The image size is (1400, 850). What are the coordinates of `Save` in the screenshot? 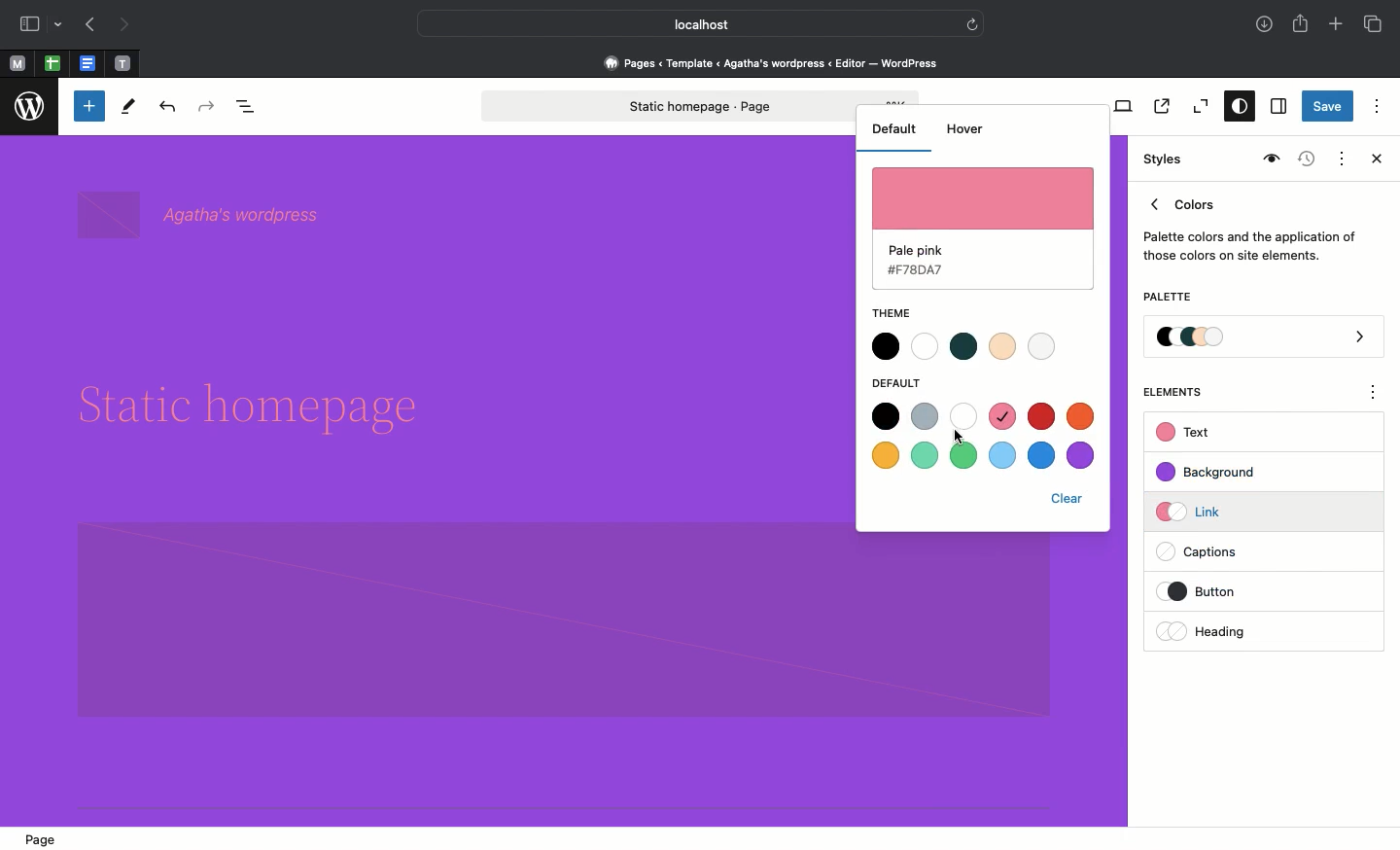 It's located at (1328, 108).